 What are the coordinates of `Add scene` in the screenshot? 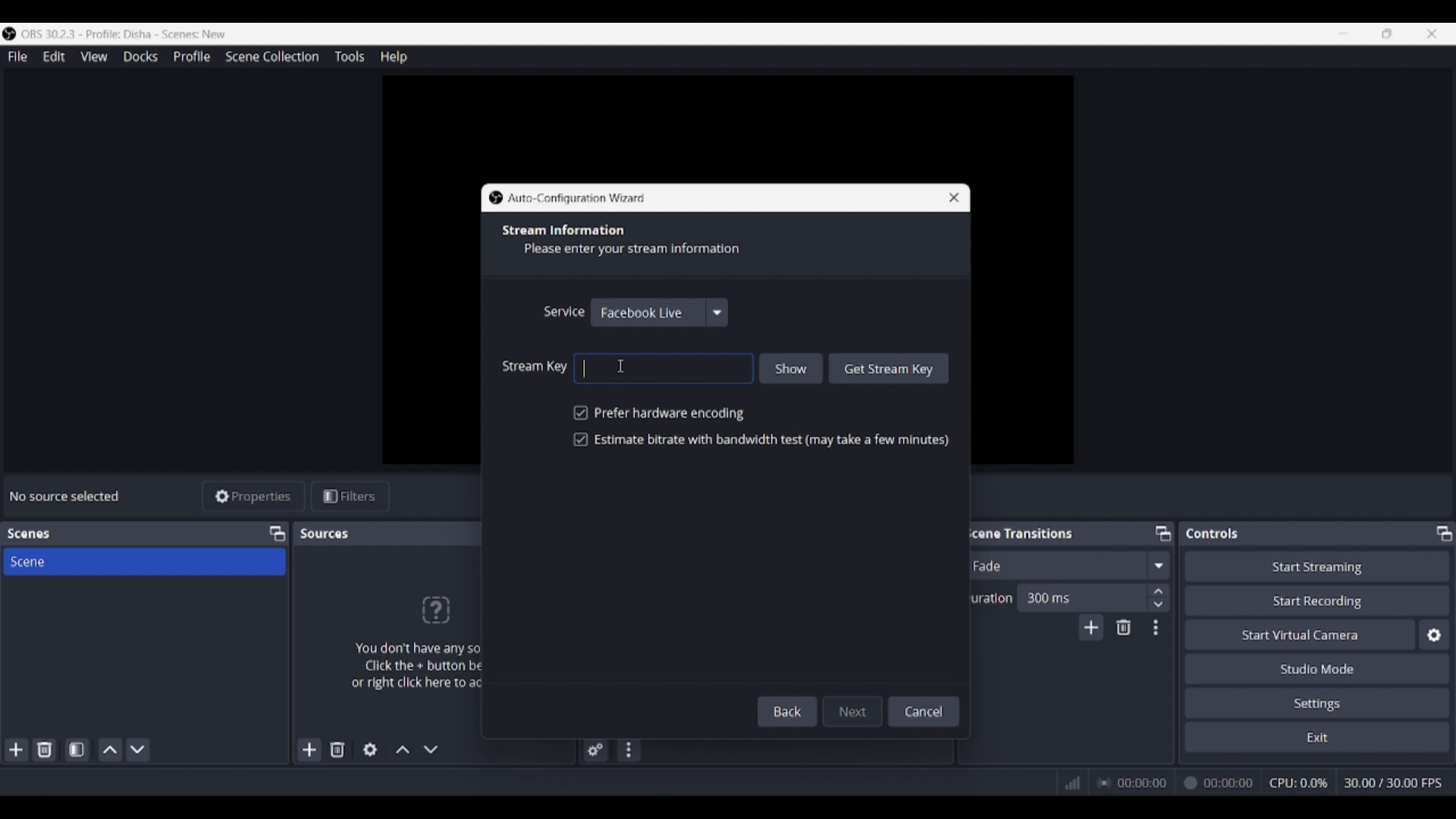 It's located at (17, 750).